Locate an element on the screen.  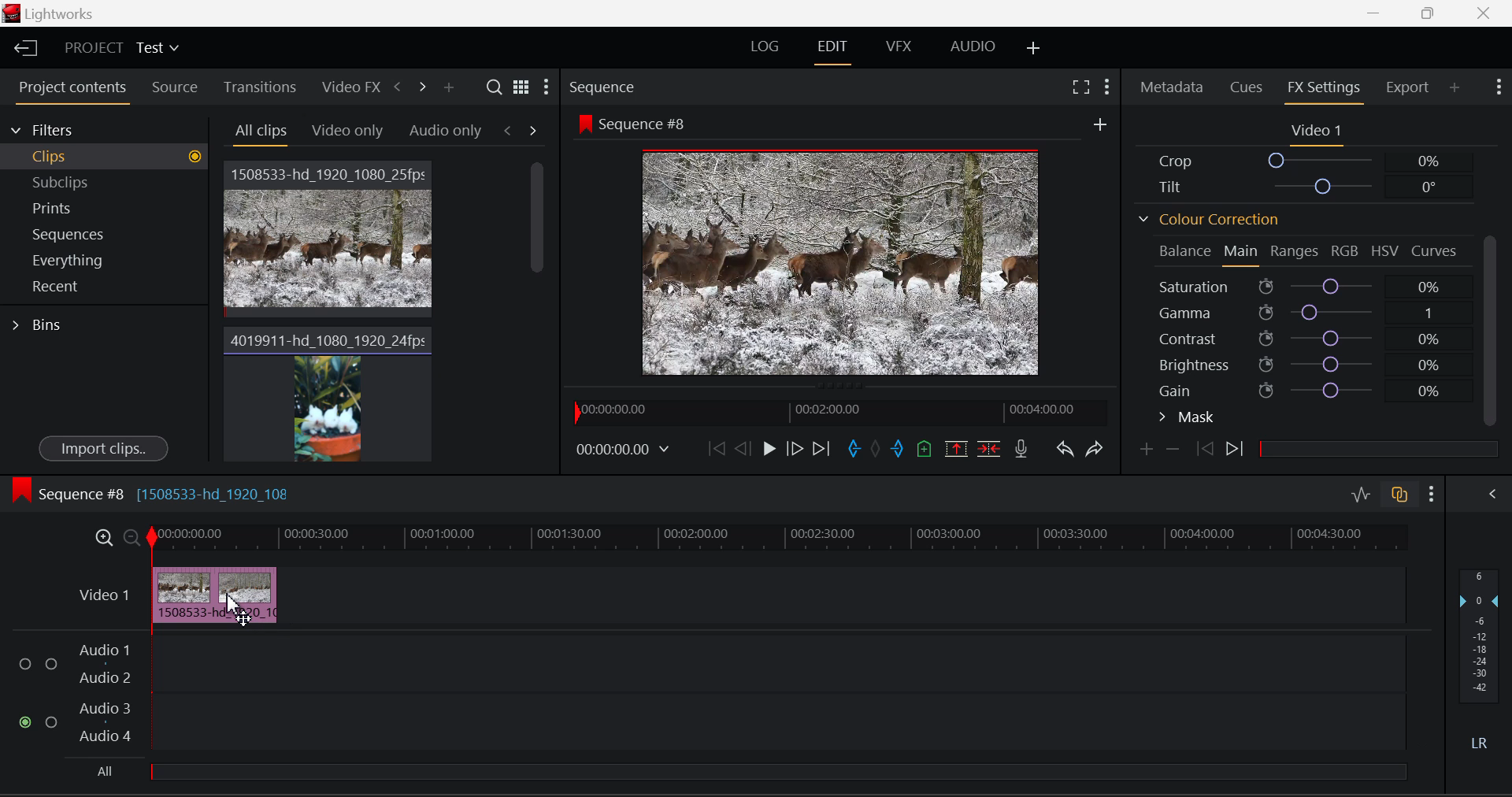
Curves is located at coordinates (1436, 250).